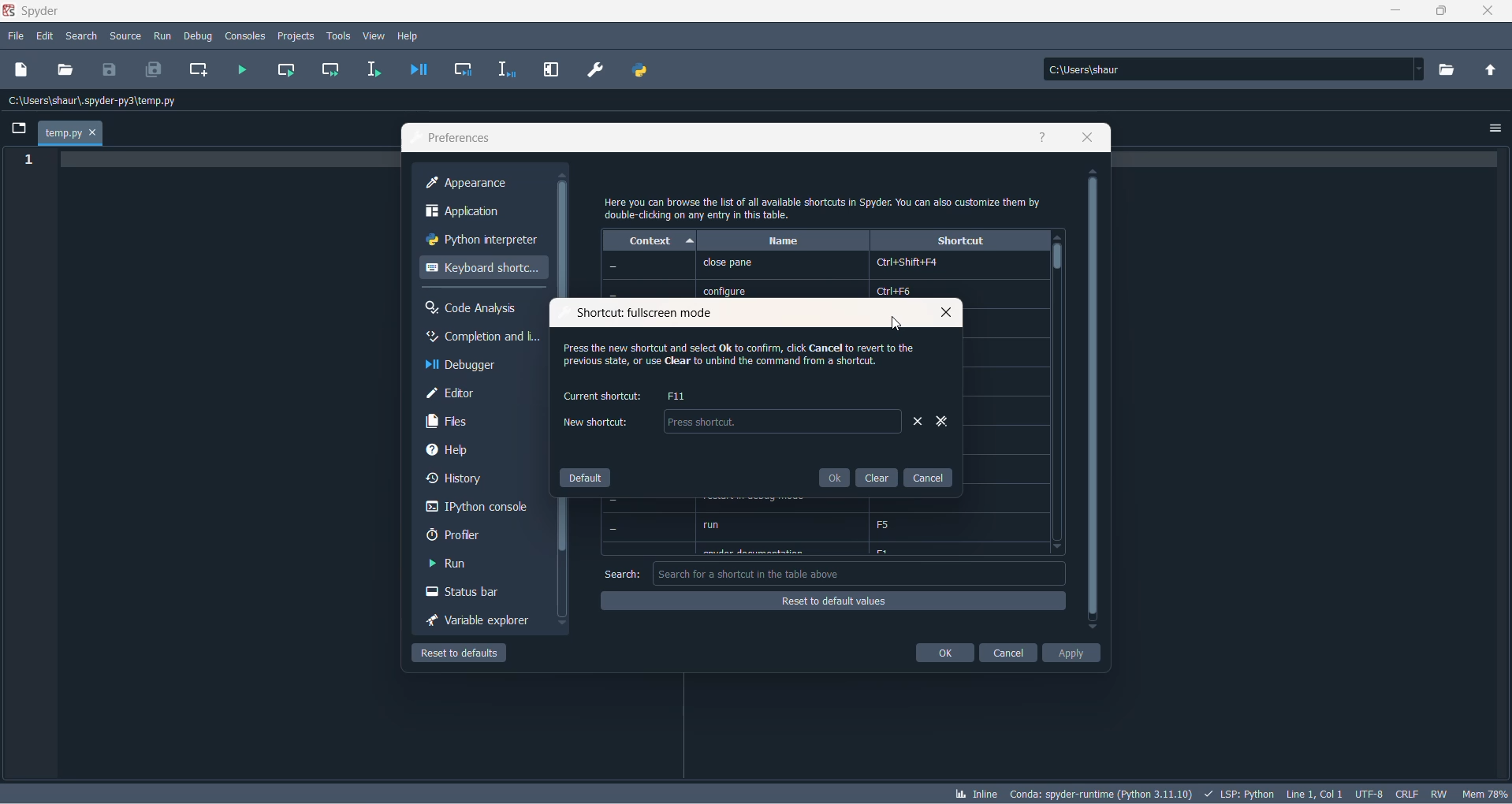 The height and width of the screenshot is (804, 1512). Describe the element at coordinates (1239, 792) in the screenshot. I see `script` at that location.